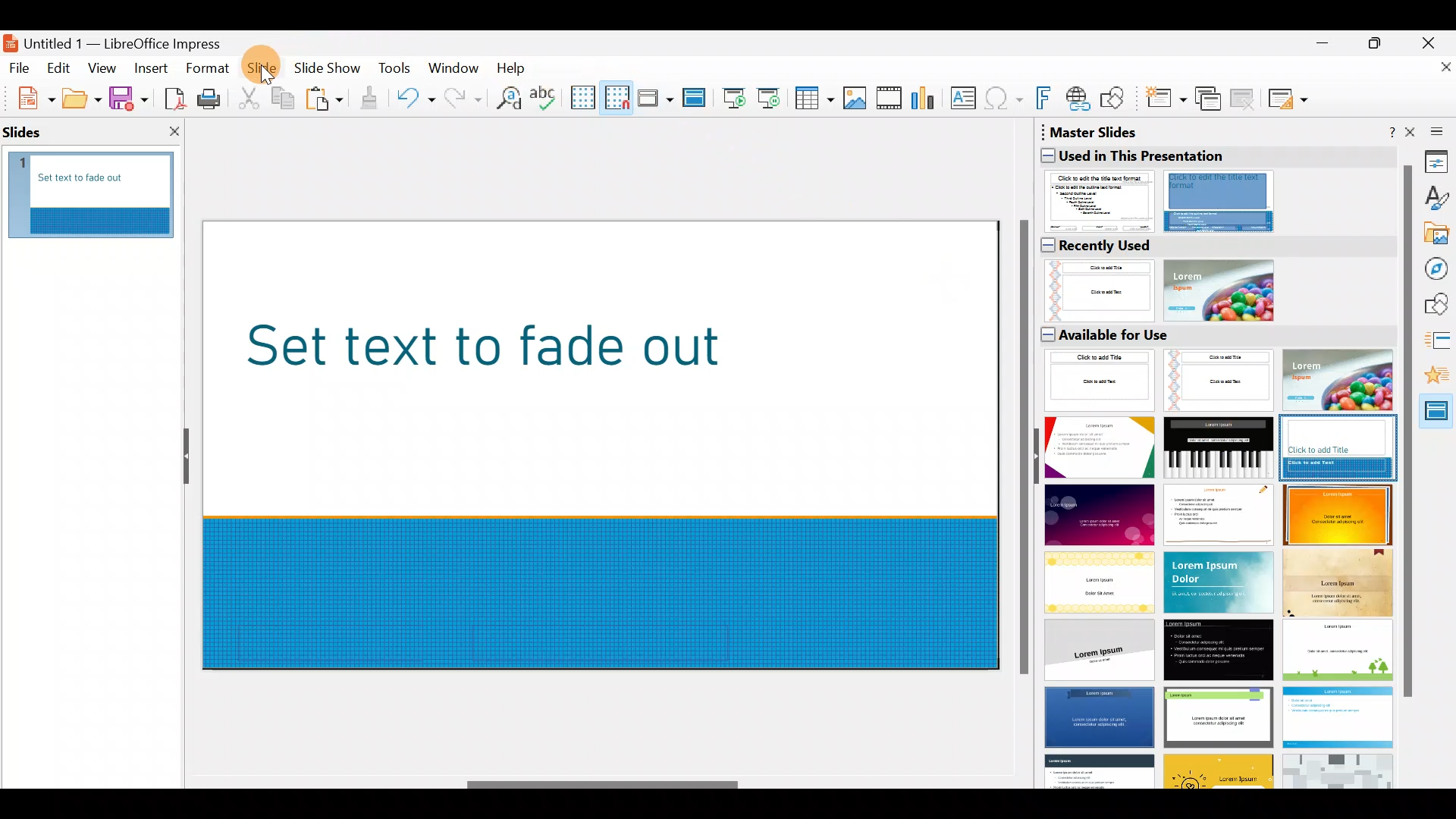 This screenshot has width=1456, height=819. Describe the element at coordinates (927, 99) in the screenshot. I see `Insert chart` at that location.